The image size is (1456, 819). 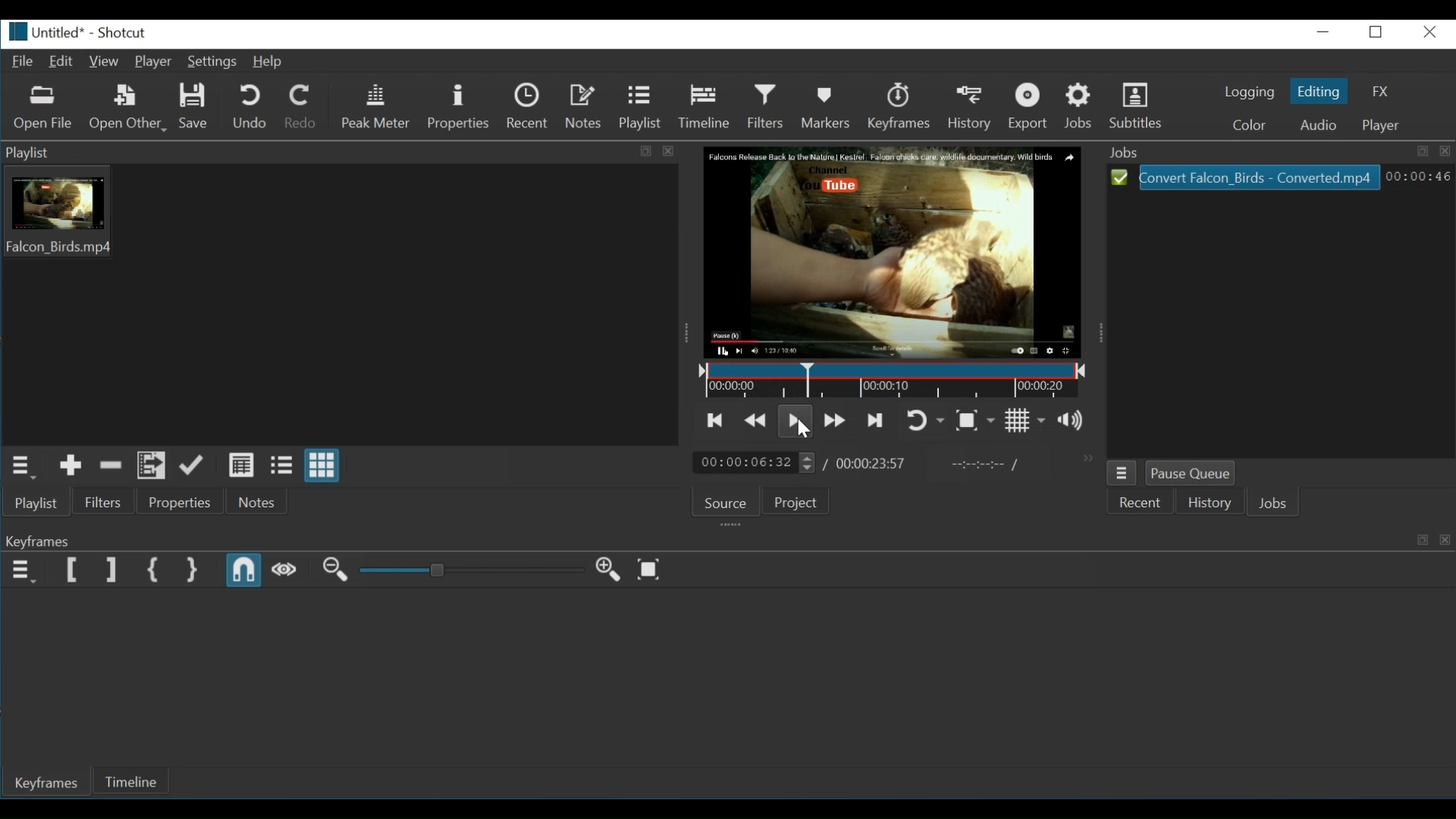 What do you see at coordinates (795, 502) in the screenshot?
I see `Project` at bounding box center [795, 502].